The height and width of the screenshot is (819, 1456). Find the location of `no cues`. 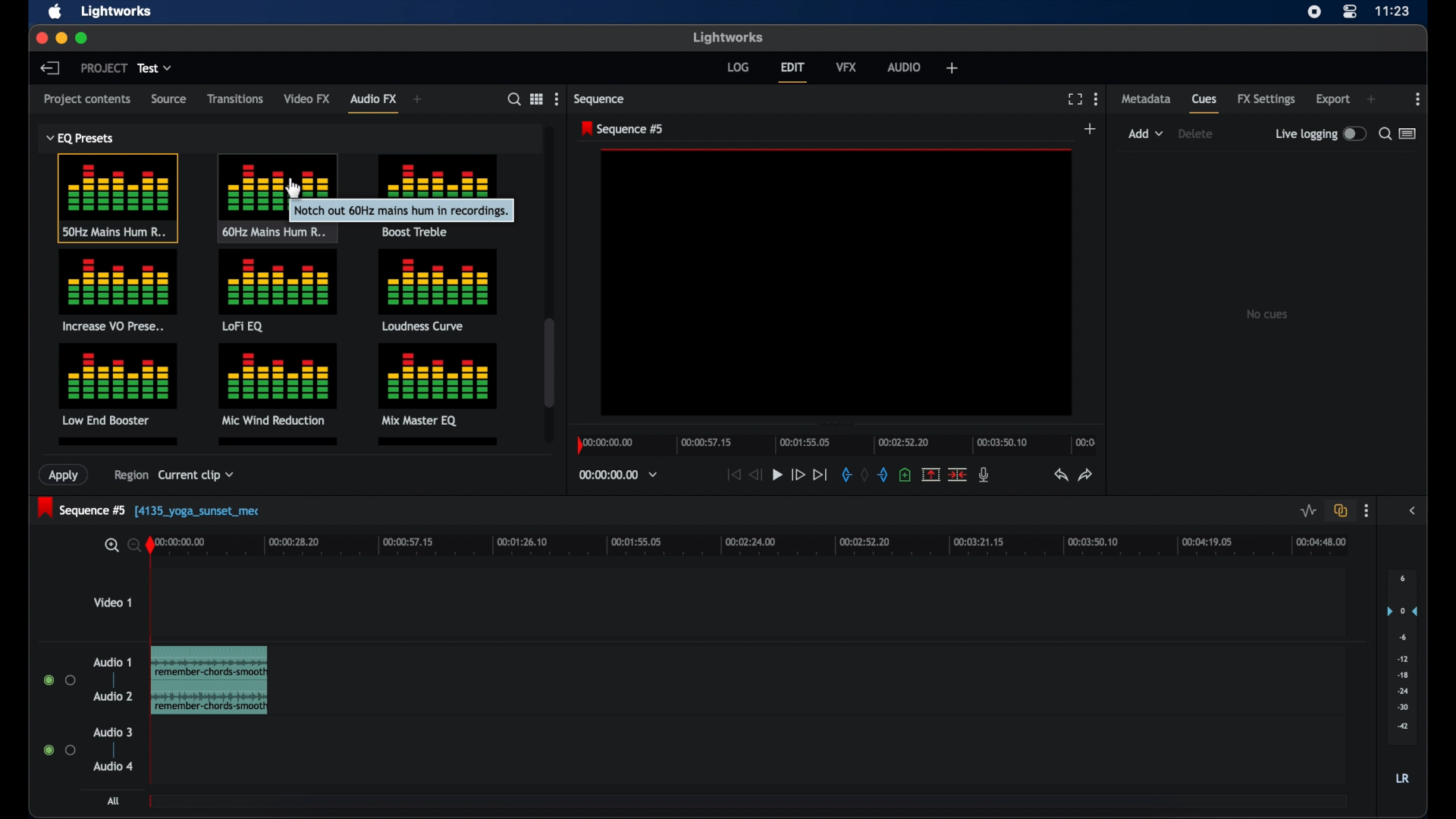

no cues is located at coordinates (1266, 314).